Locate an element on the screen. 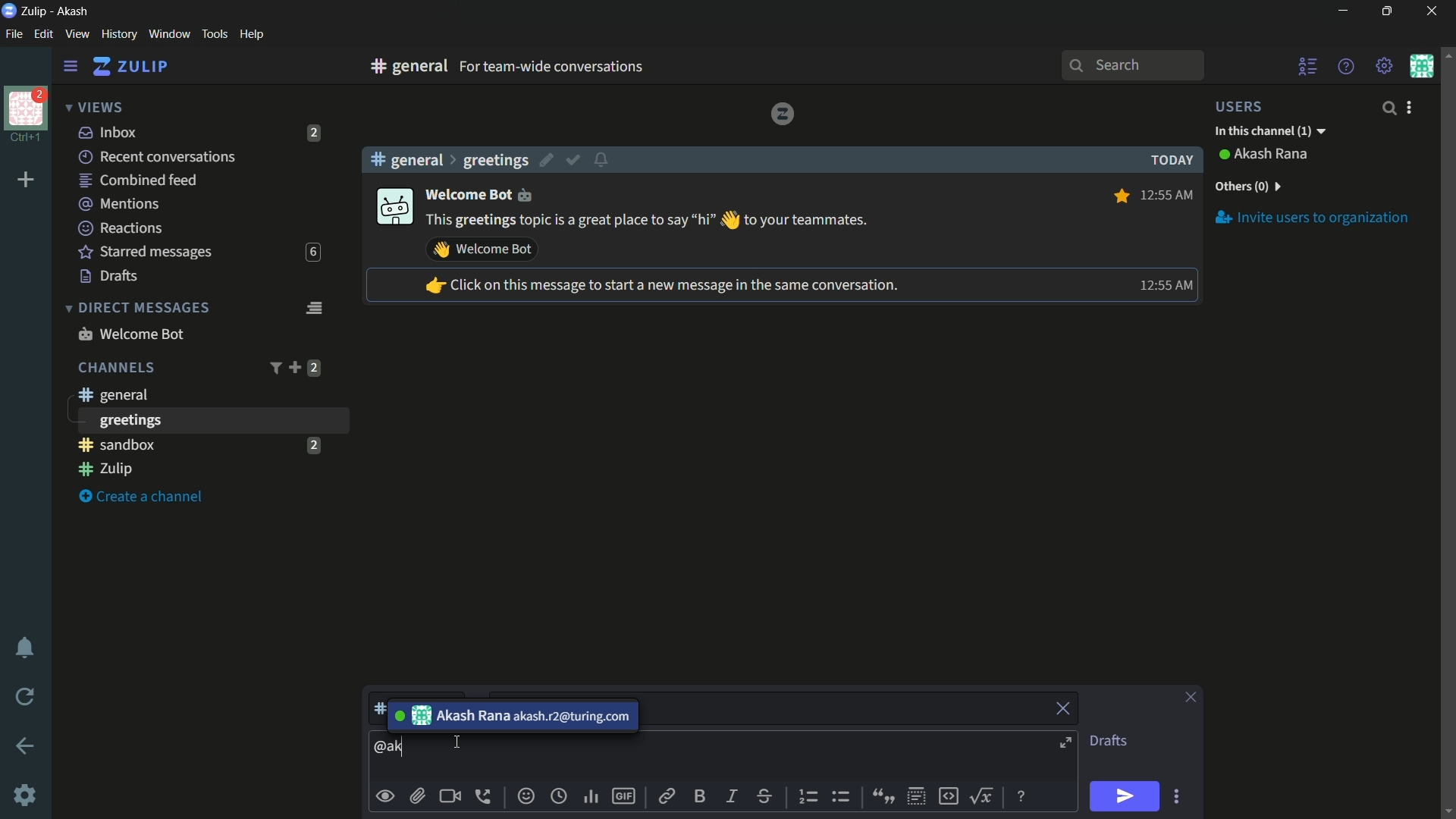 The height and width of the screenshot is (819, 1456). display picture is located at coordinates (393, 208).